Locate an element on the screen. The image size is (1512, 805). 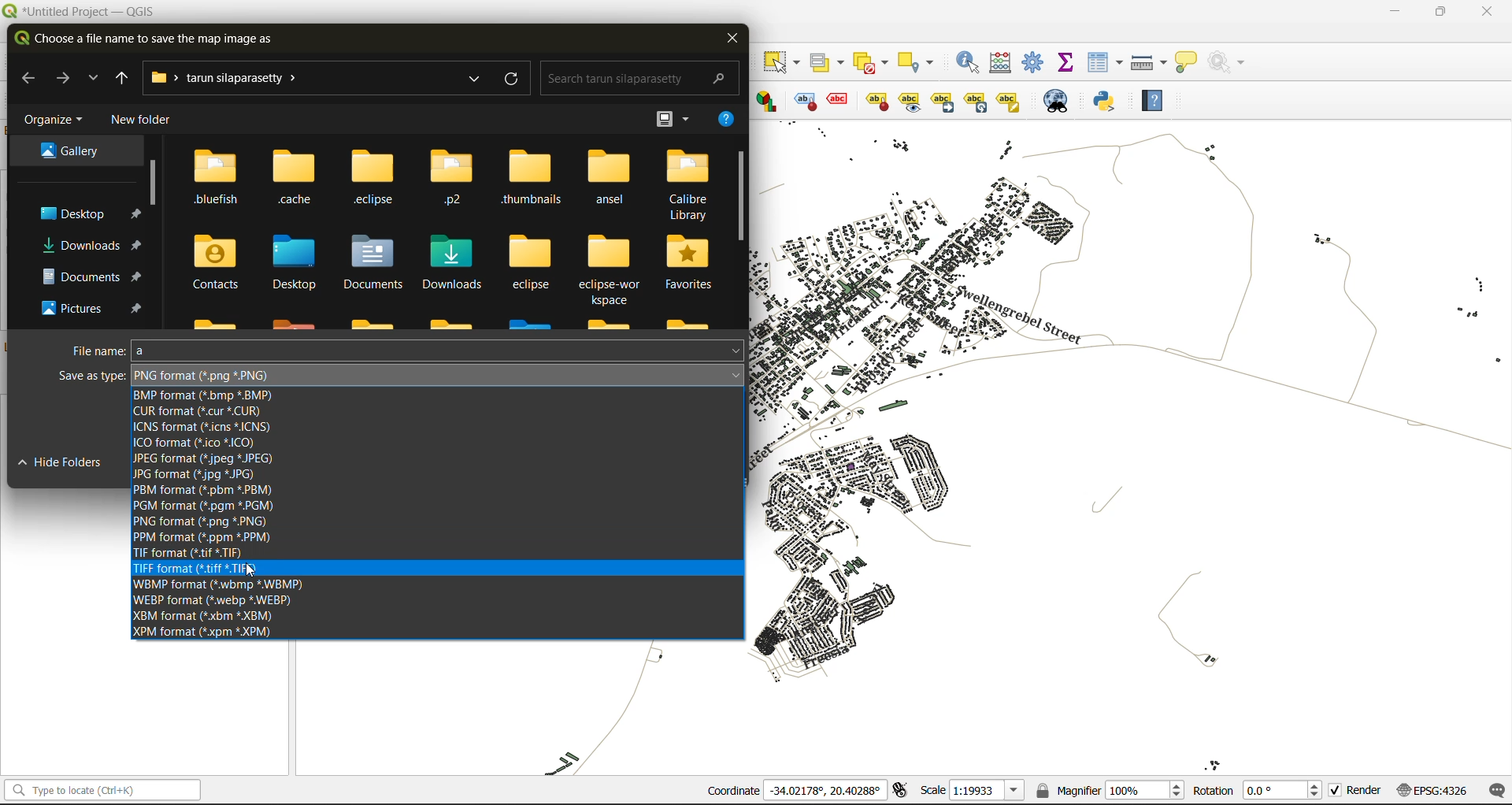
vertical scroll bar is located at coordinates (740, 198).